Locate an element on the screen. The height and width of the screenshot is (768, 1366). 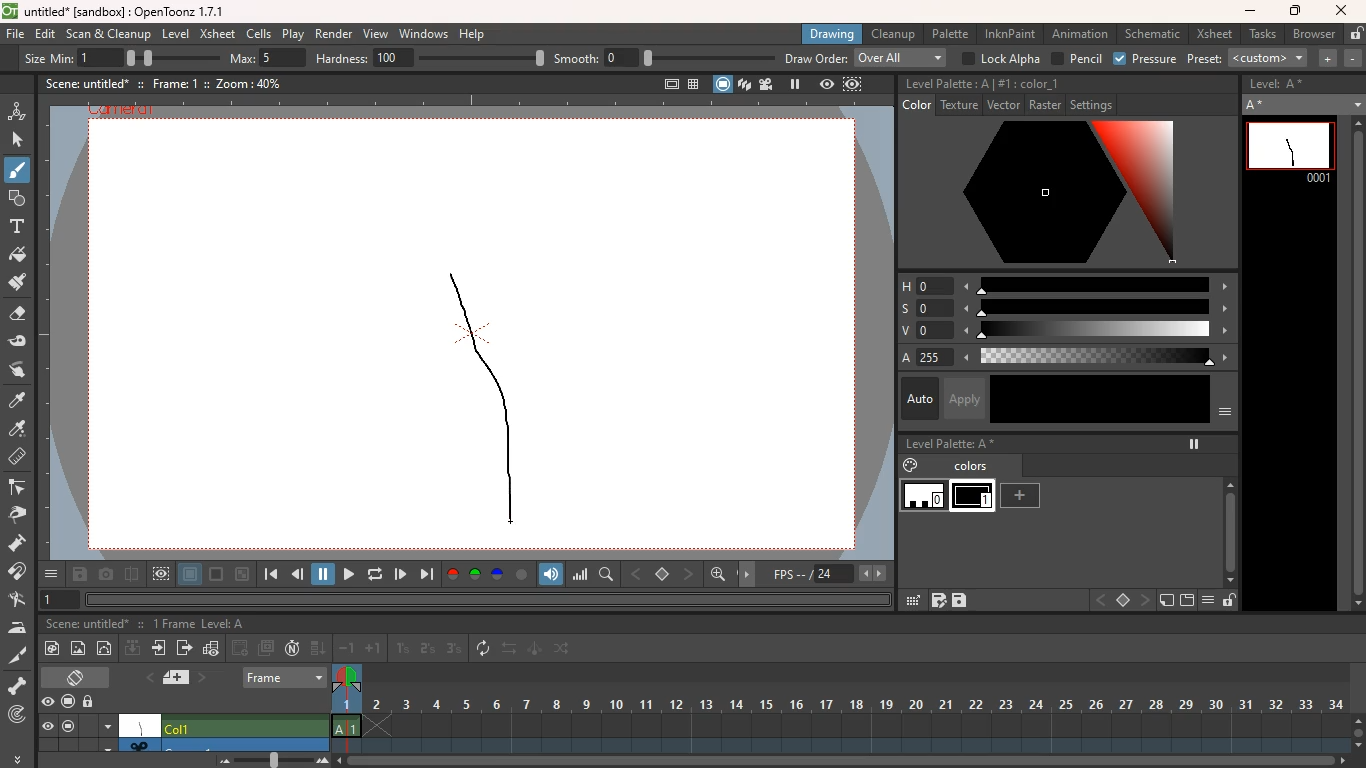
draw order: over all is located at coordinates (868, 59).